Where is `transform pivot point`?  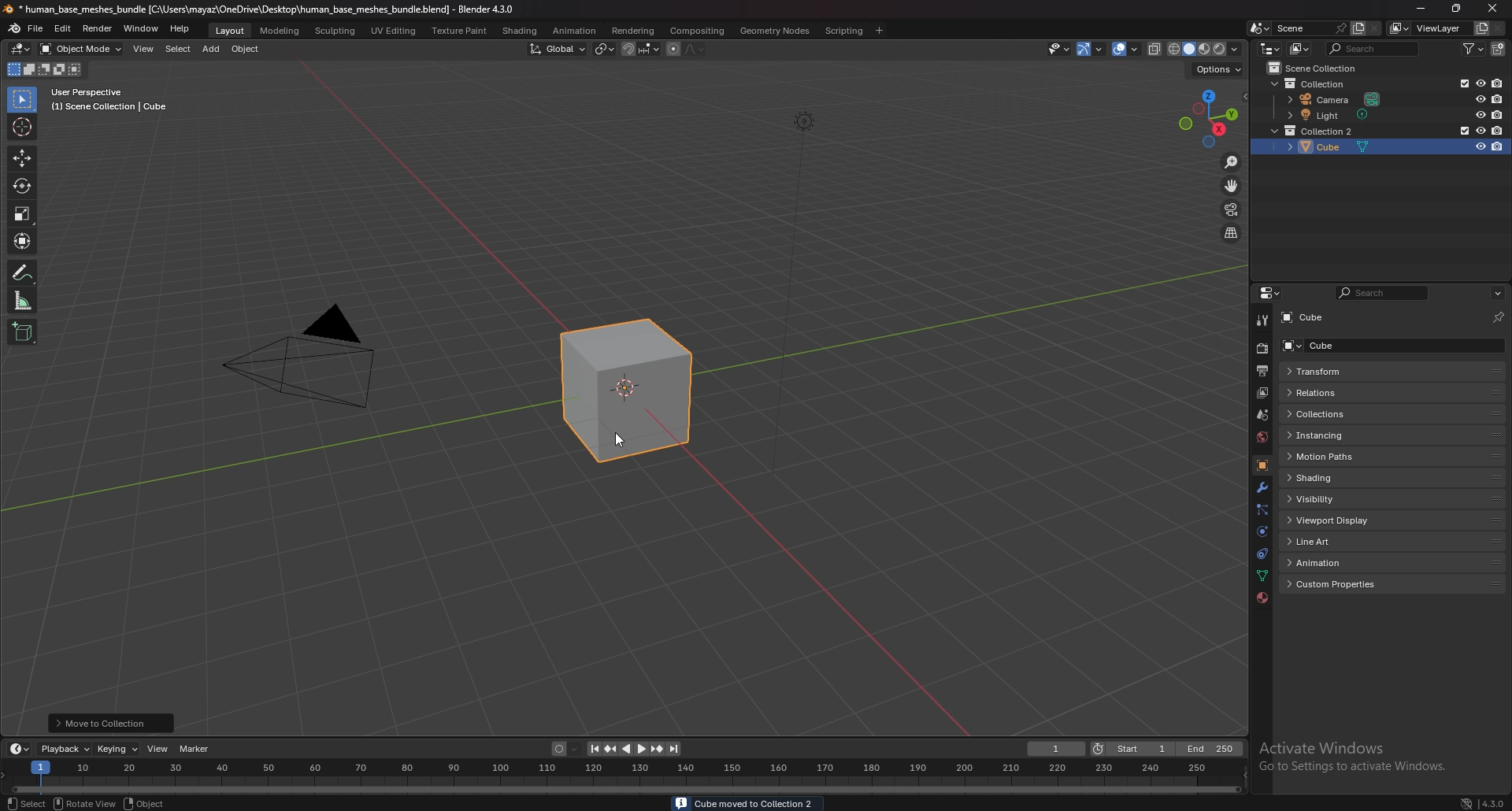 transform pivot point is located at coordinates (605, 49).